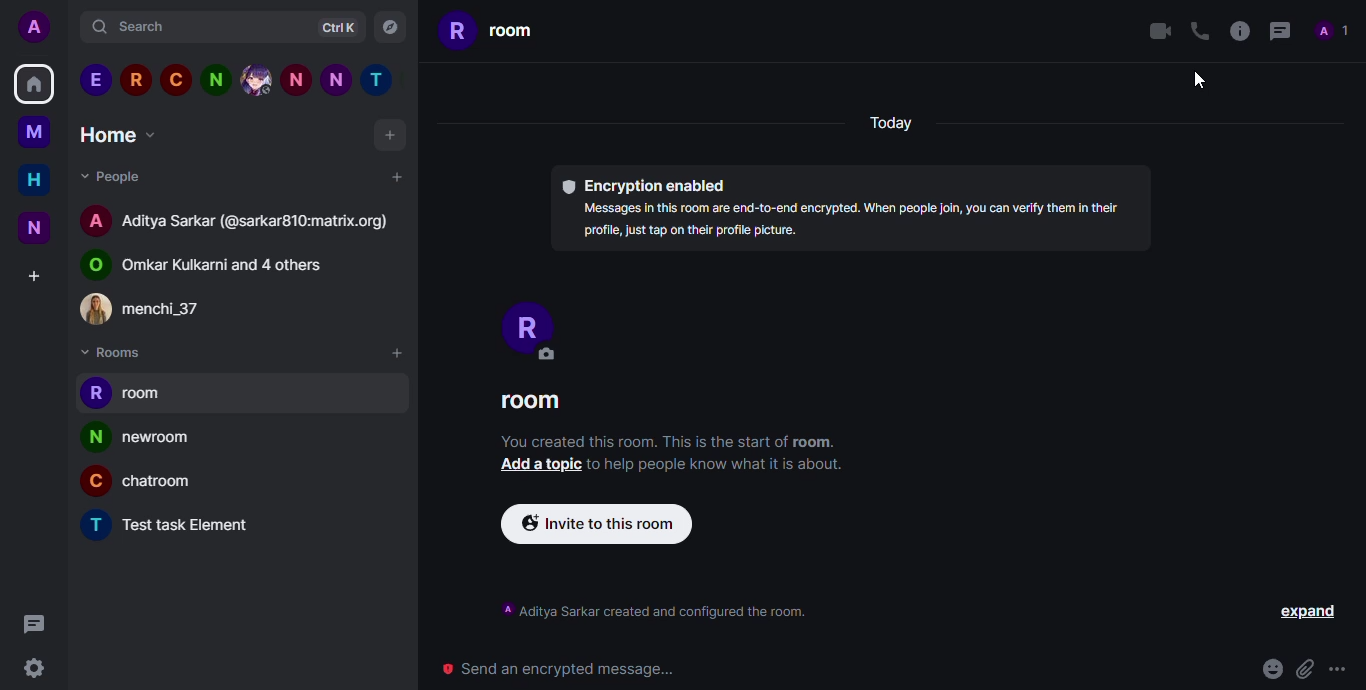 The image size is (1366, 690). I want to click on Contact shortcut, so click(295, 83).